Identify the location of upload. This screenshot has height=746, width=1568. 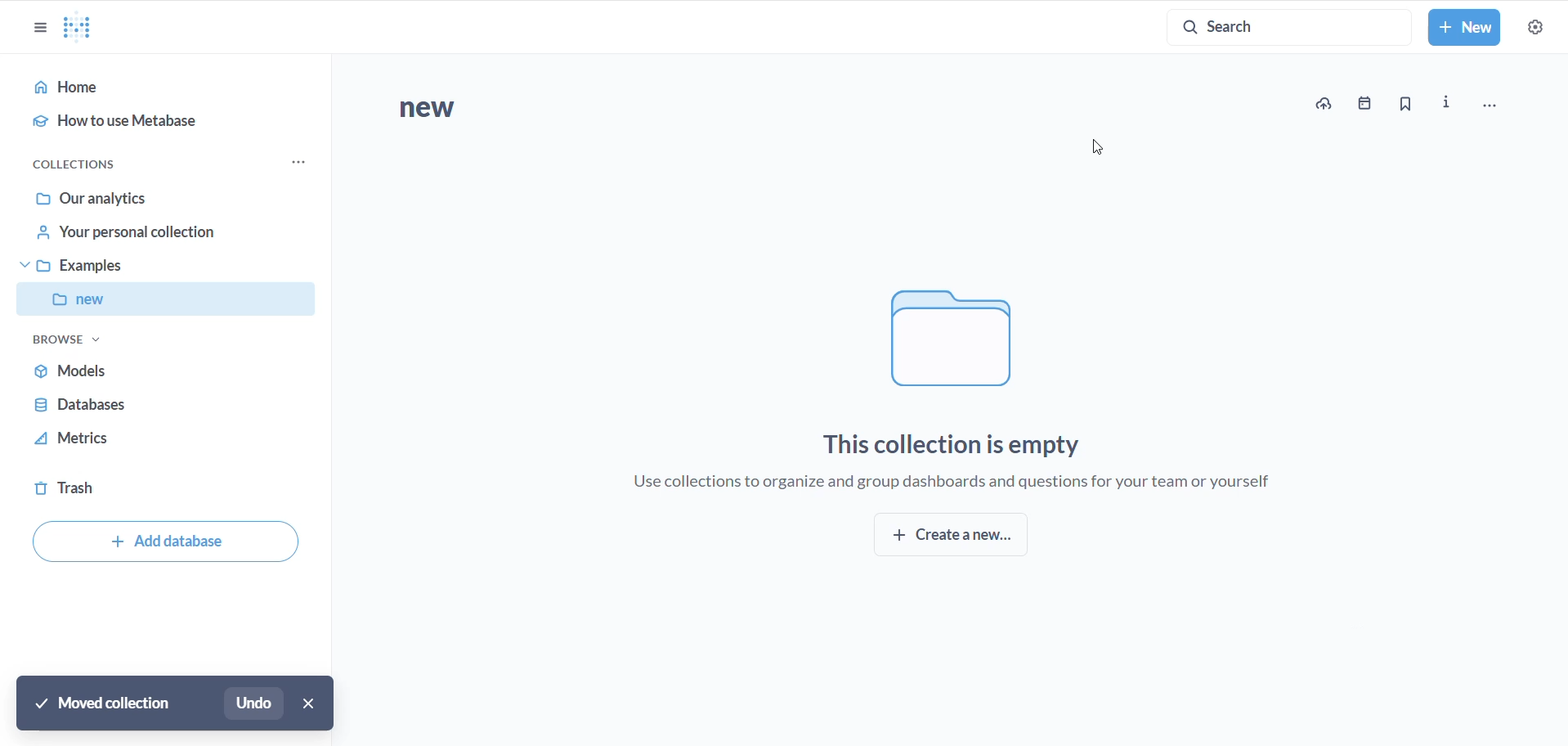
(1328, 102).